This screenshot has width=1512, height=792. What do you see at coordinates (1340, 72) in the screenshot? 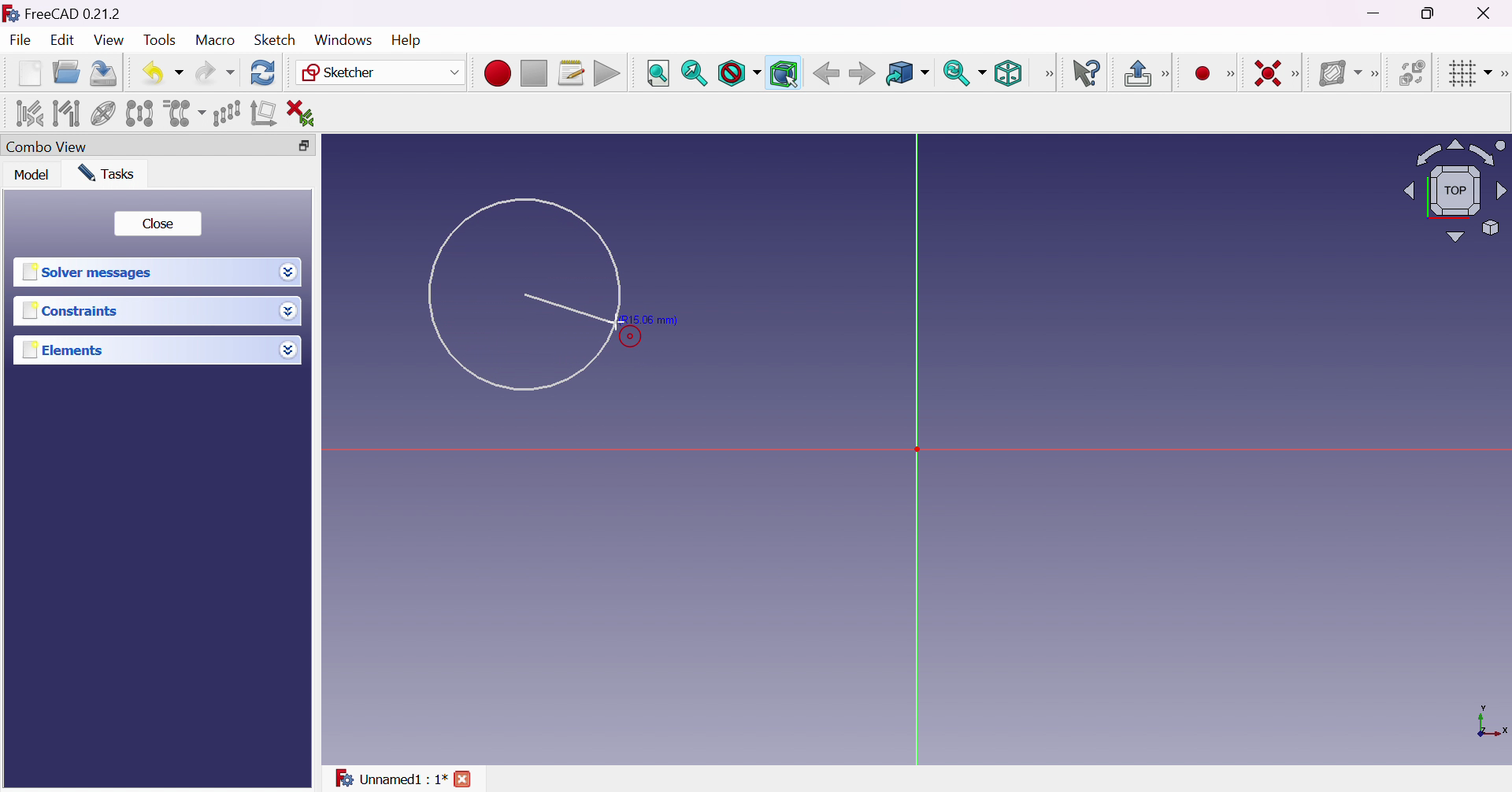
I see `Show/hide B-spline information layer` at bounding box center [1340, 72].